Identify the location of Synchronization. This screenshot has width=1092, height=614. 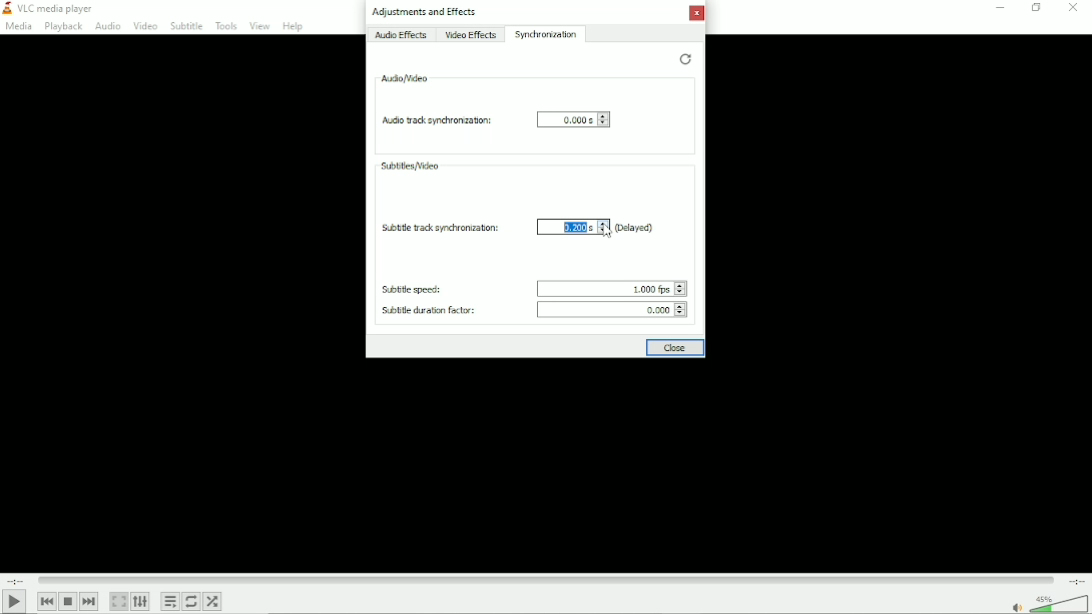
(548, 34).